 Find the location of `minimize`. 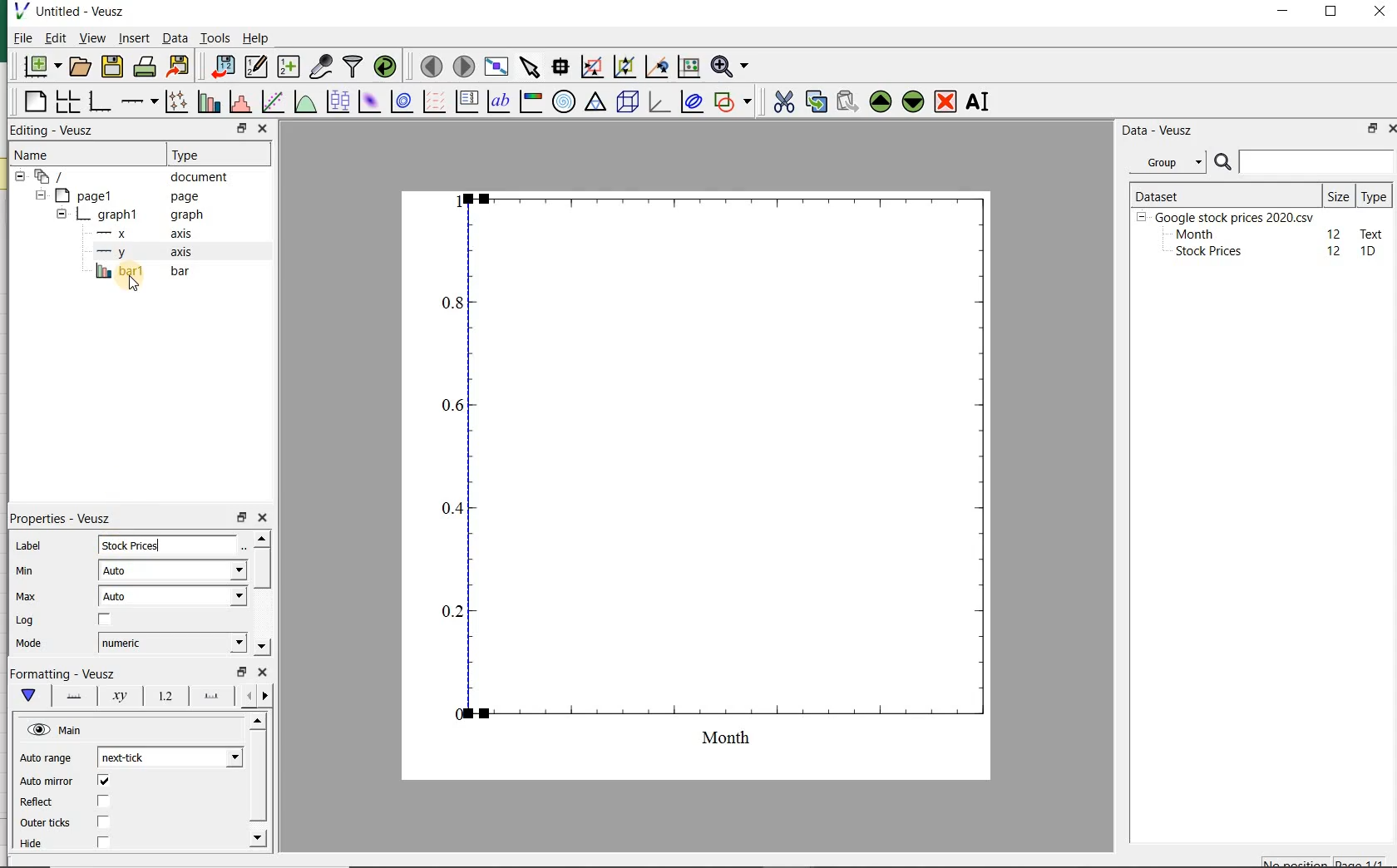

minimize is located at coordinates (1284, 12).